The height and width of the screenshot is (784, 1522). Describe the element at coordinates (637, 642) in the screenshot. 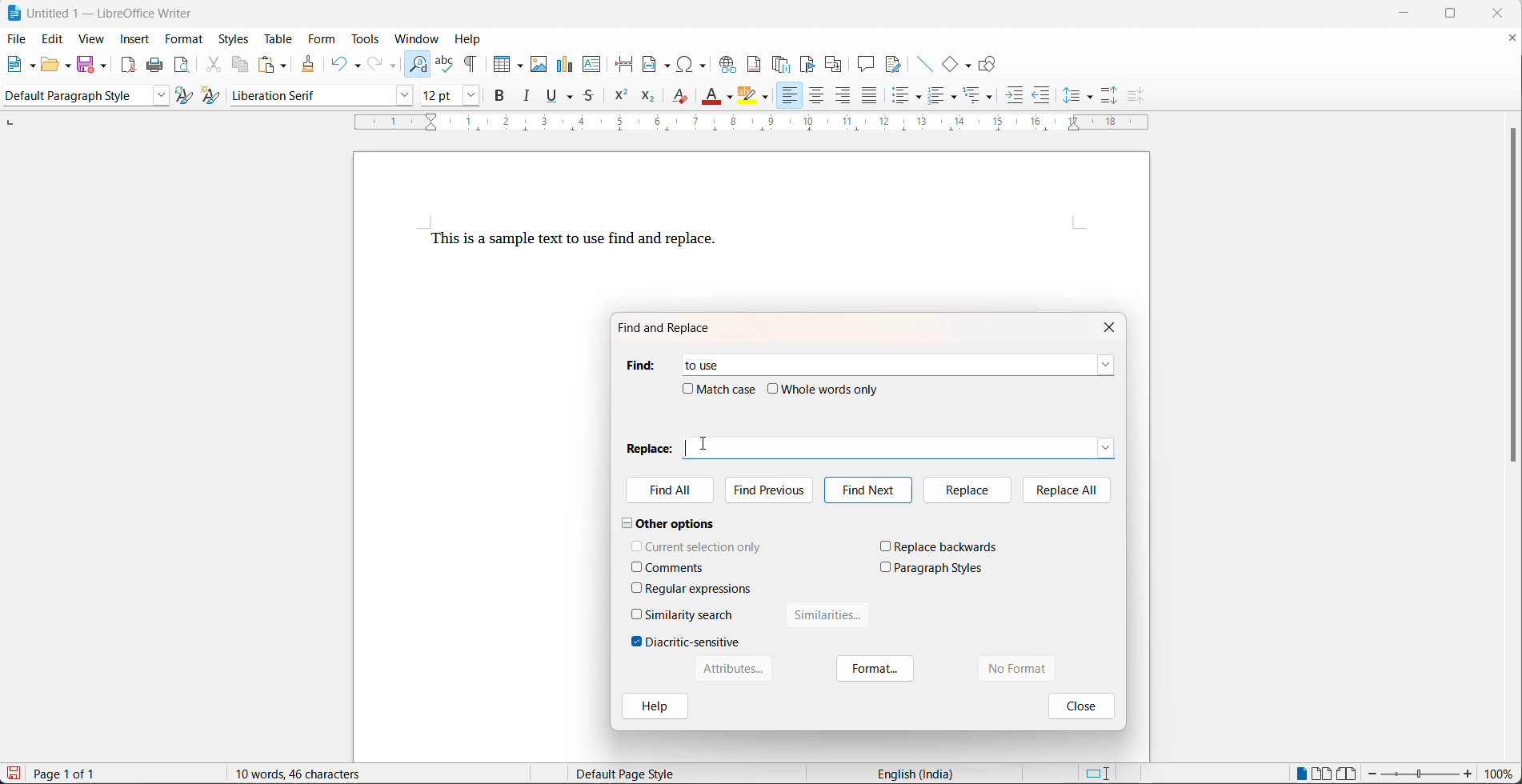

I see `checkbox` at that location.